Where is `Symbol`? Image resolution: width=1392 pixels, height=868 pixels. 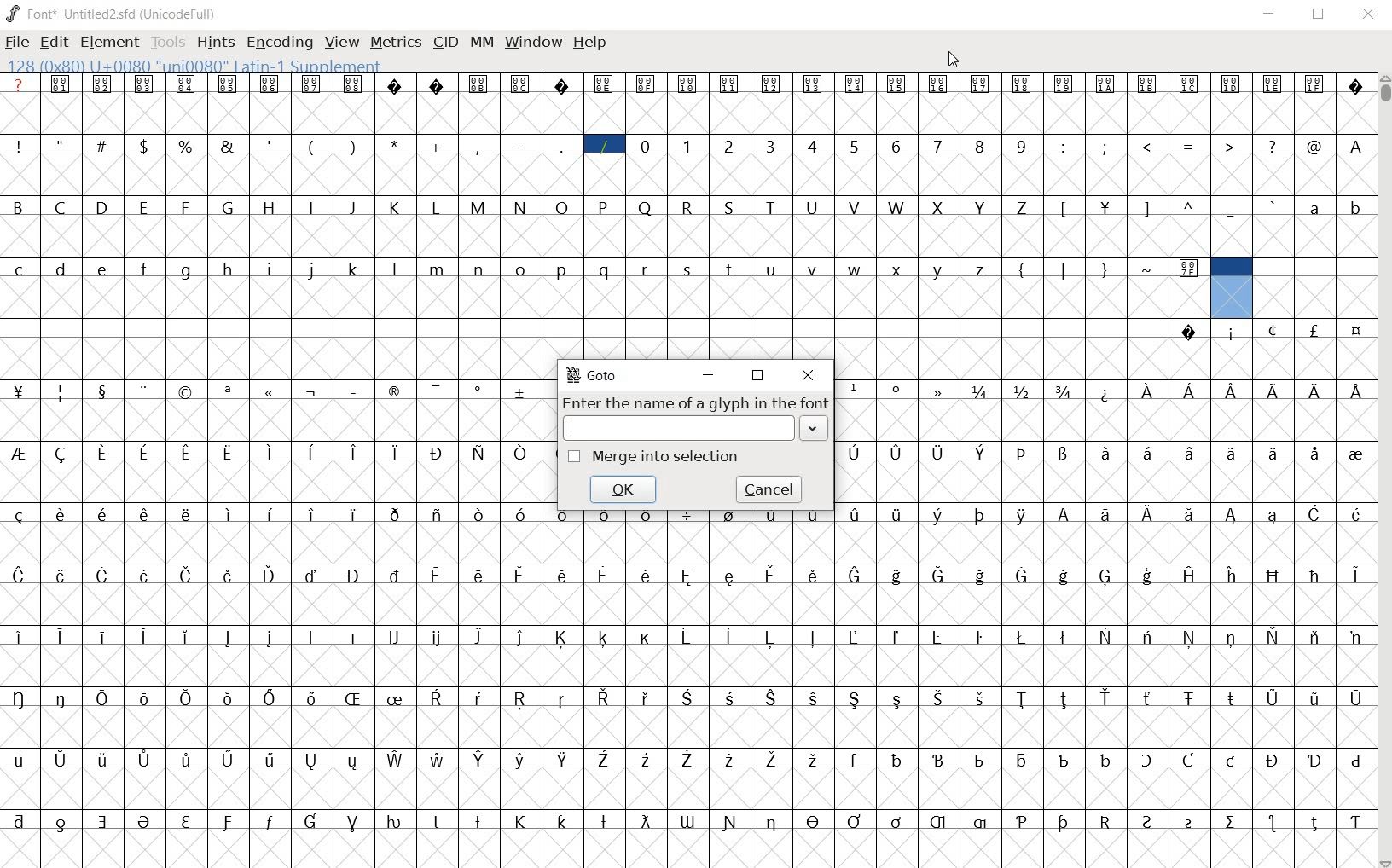 Symbol is located at coordinates (687, 512).